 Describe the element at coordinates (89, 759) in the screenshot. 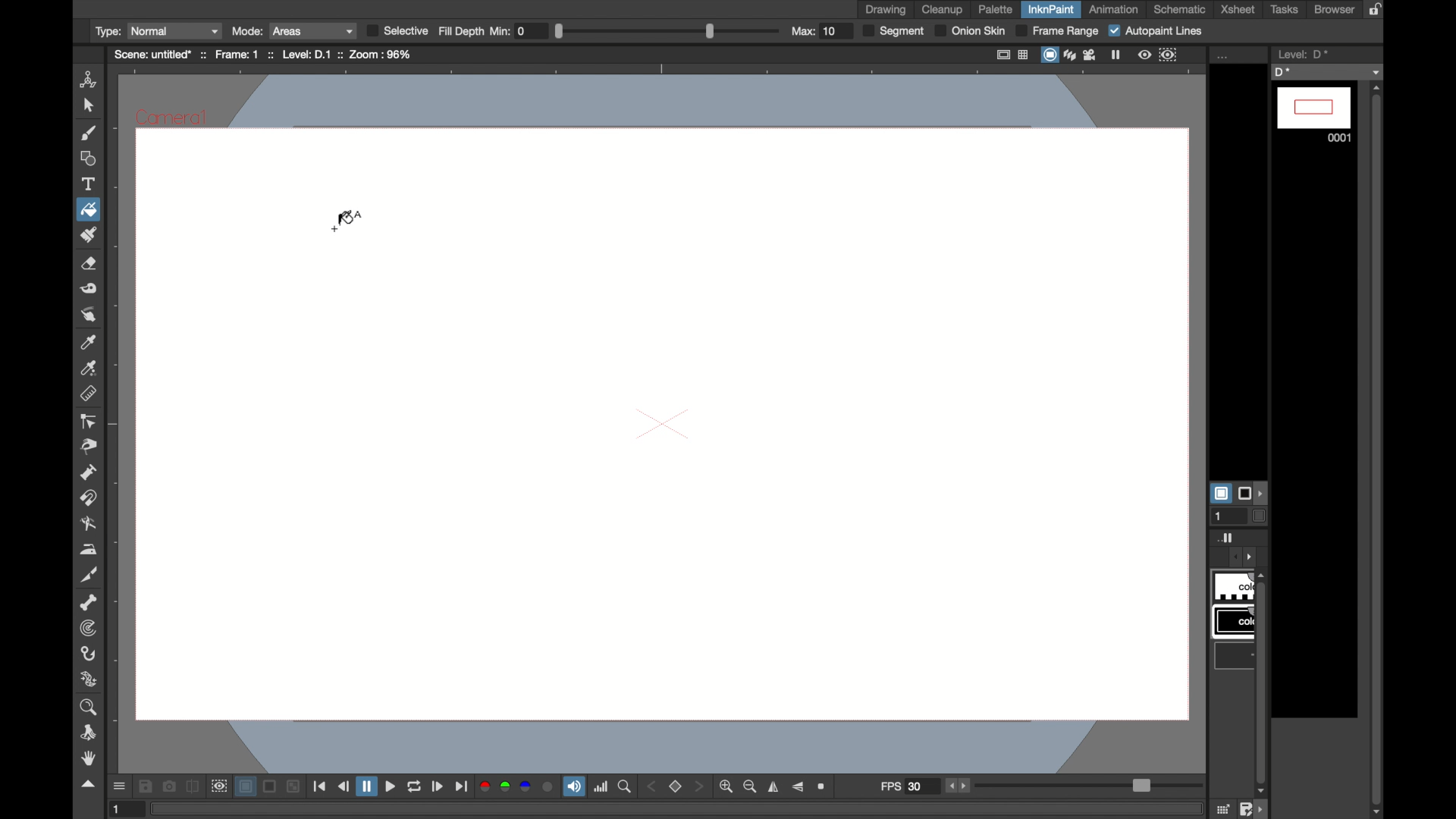

I see `hand tool` at that location.